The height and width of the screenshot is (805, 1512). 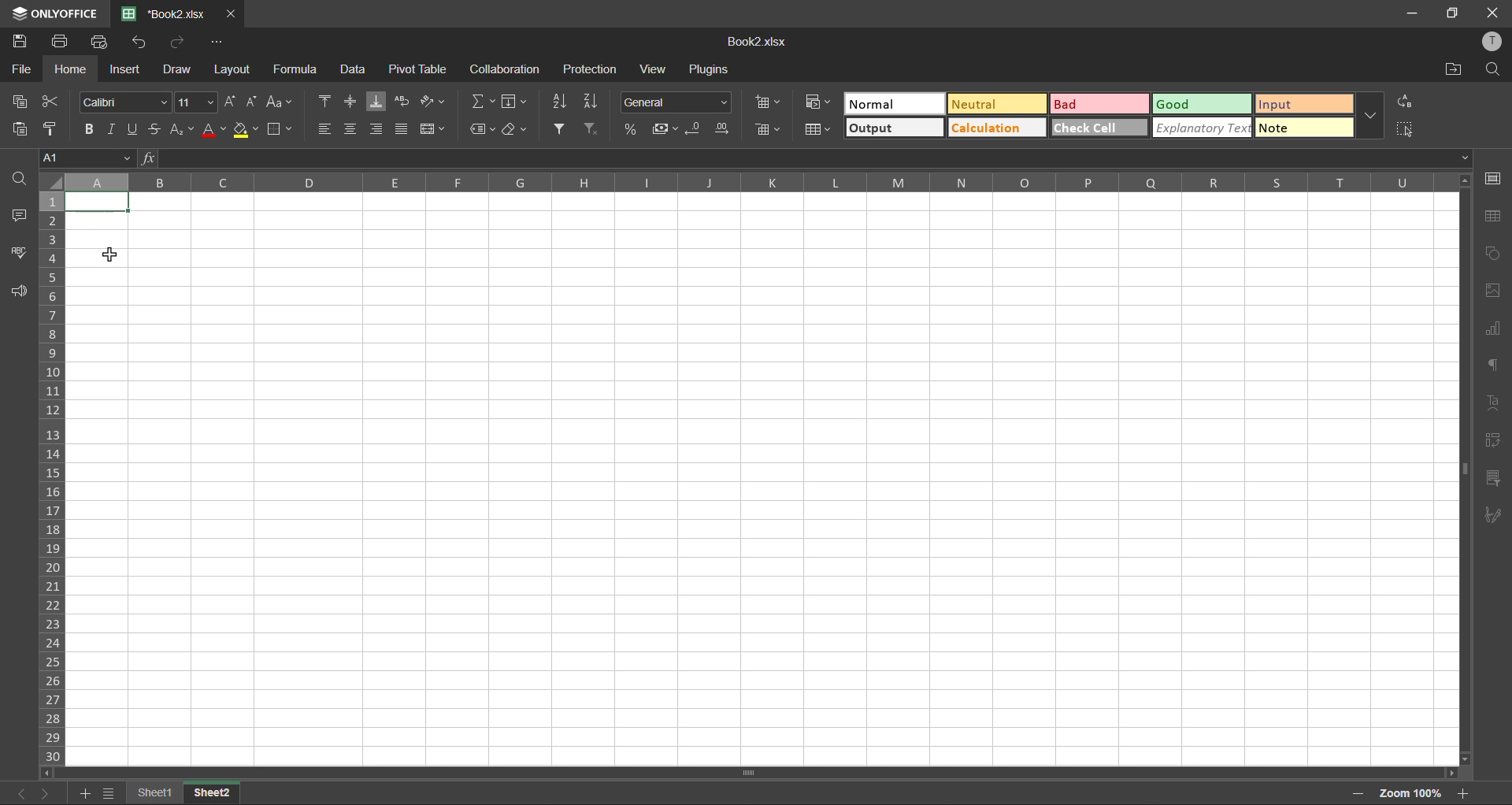 What do you see at coordinates (429, 101) in the screenshot?
I see `orientation` at bounding box center [429, 101].